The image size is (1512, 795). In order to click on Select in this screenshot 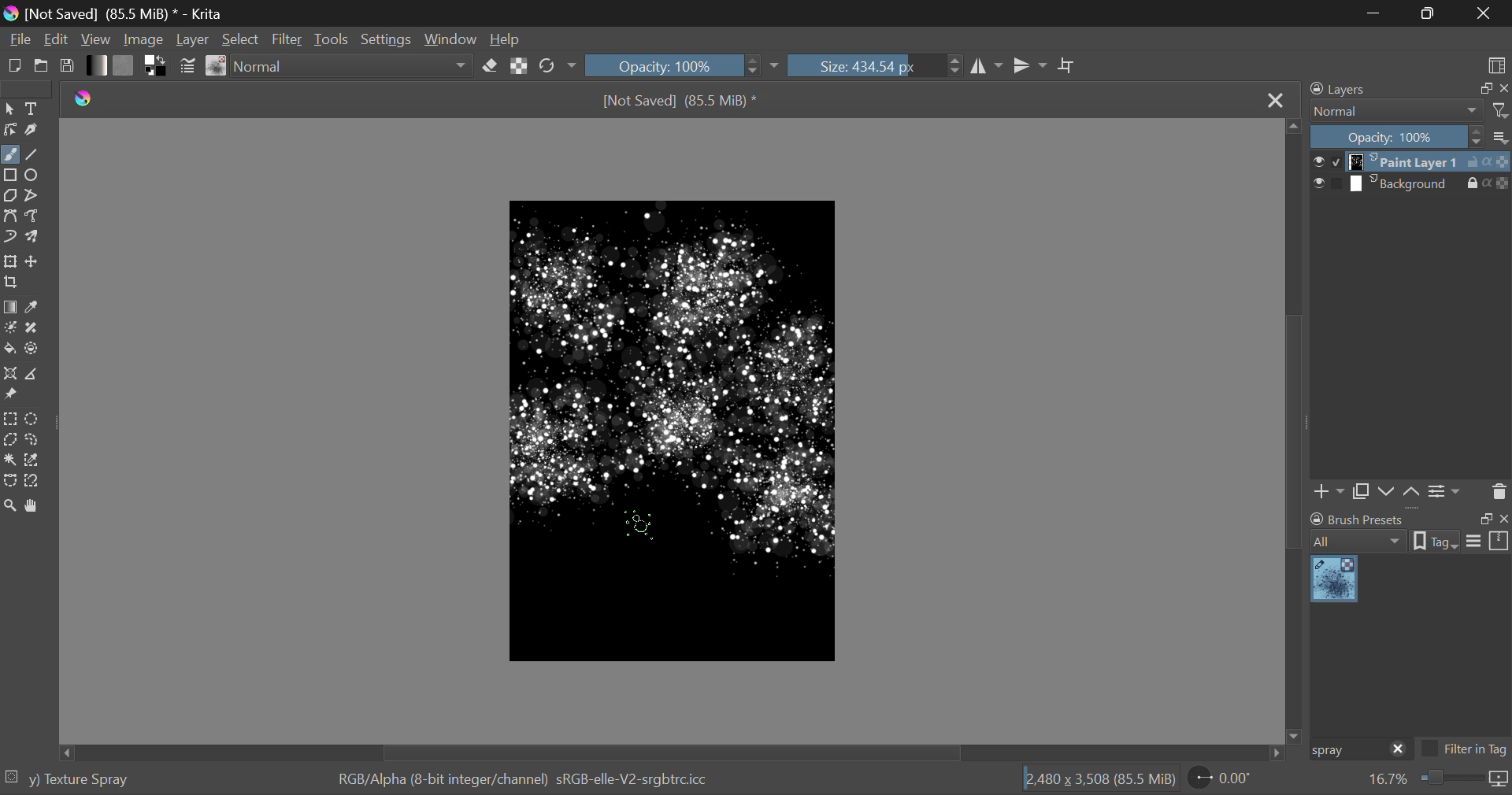, I will do `click(241, 39)`.